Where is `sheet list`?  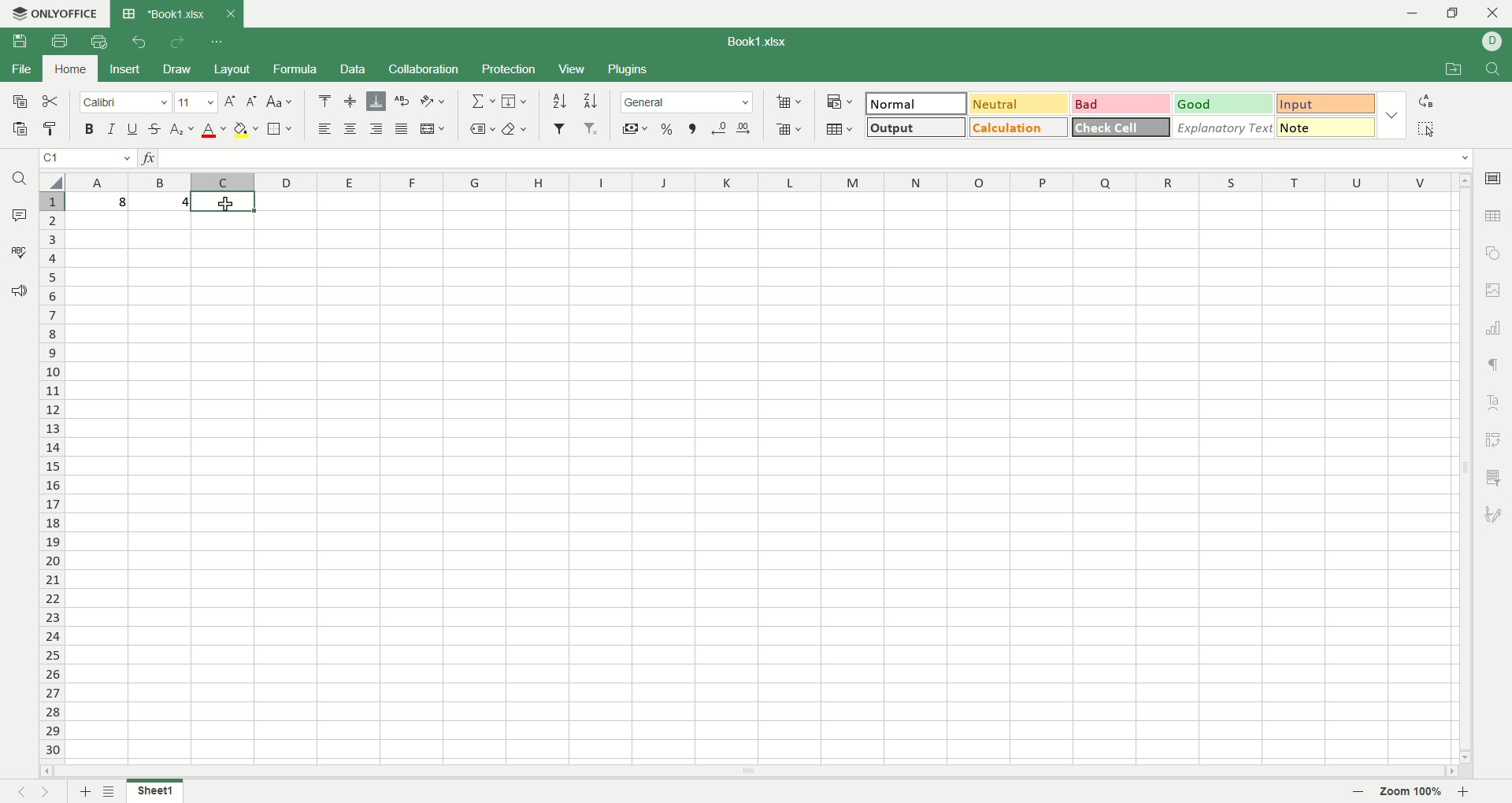 sheet list is located at coordinates (111, 791).